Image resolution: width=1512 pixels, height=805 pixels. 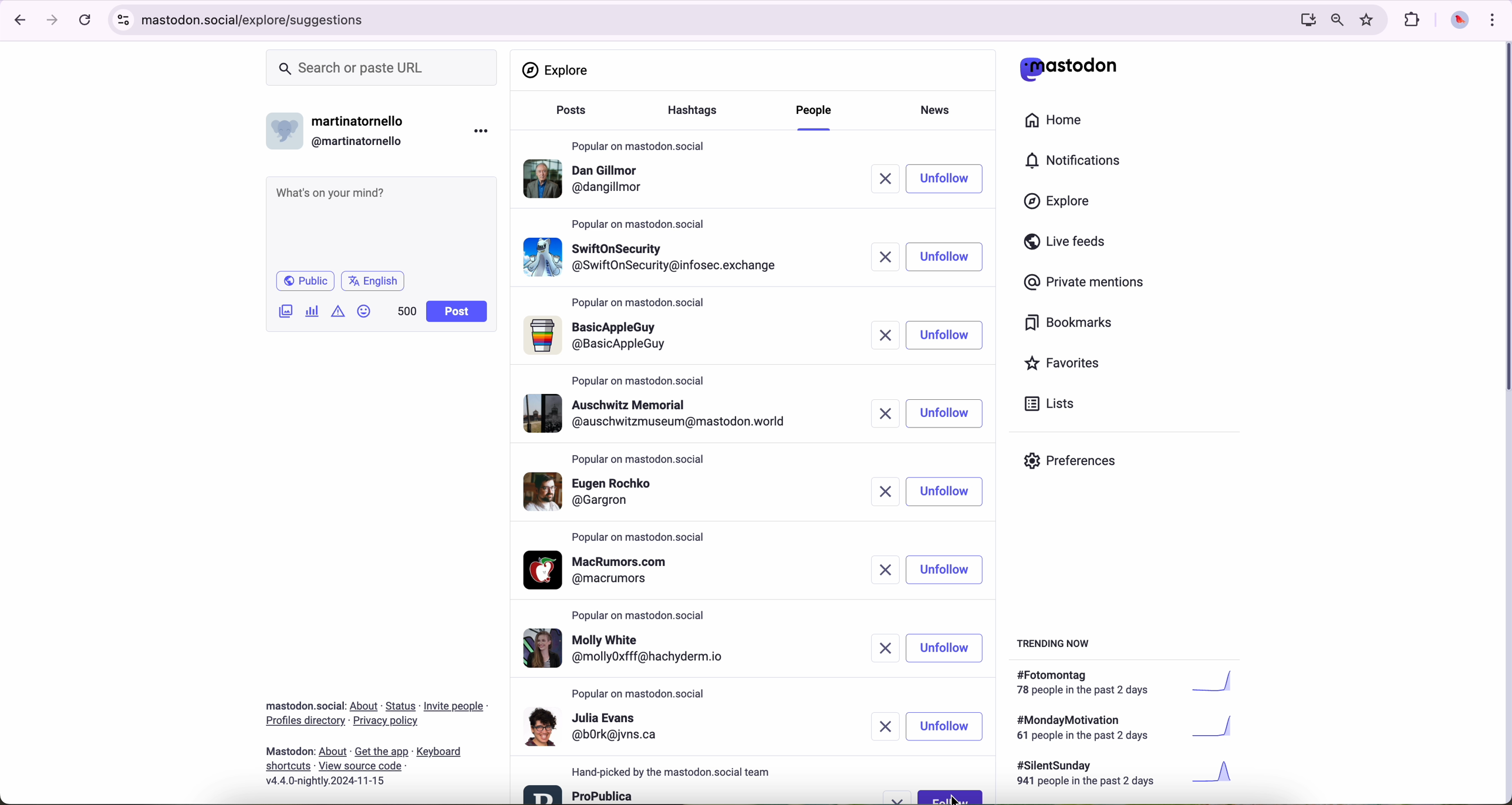 What do you see at coordinates (893, 179) in the screenshot?
I see `remove` at bounding box center [893, 179].